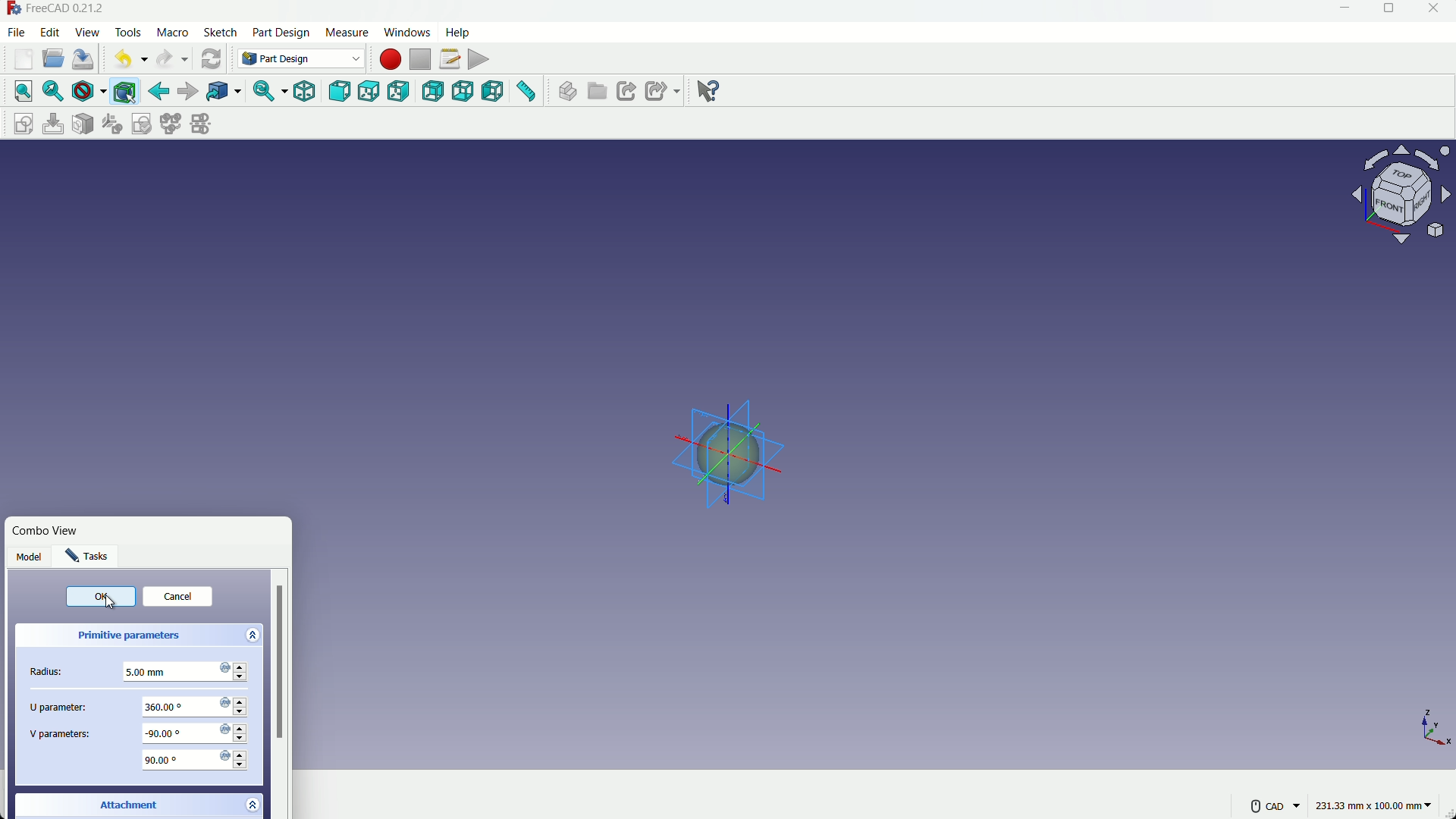  I want to click on bottom view, so click(463, 91).